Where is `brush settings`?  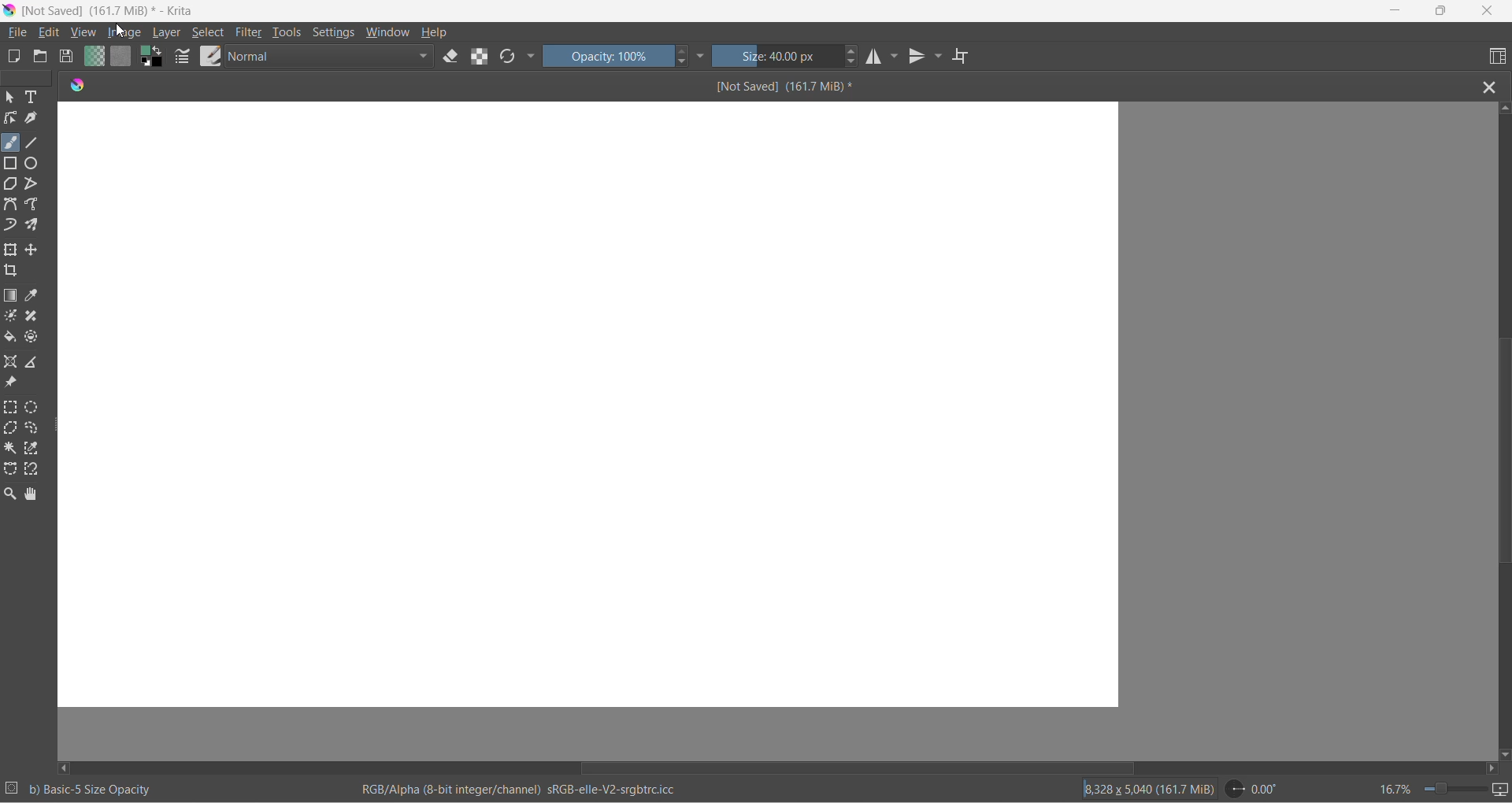
brush settings is located at coordinates (183, 60).